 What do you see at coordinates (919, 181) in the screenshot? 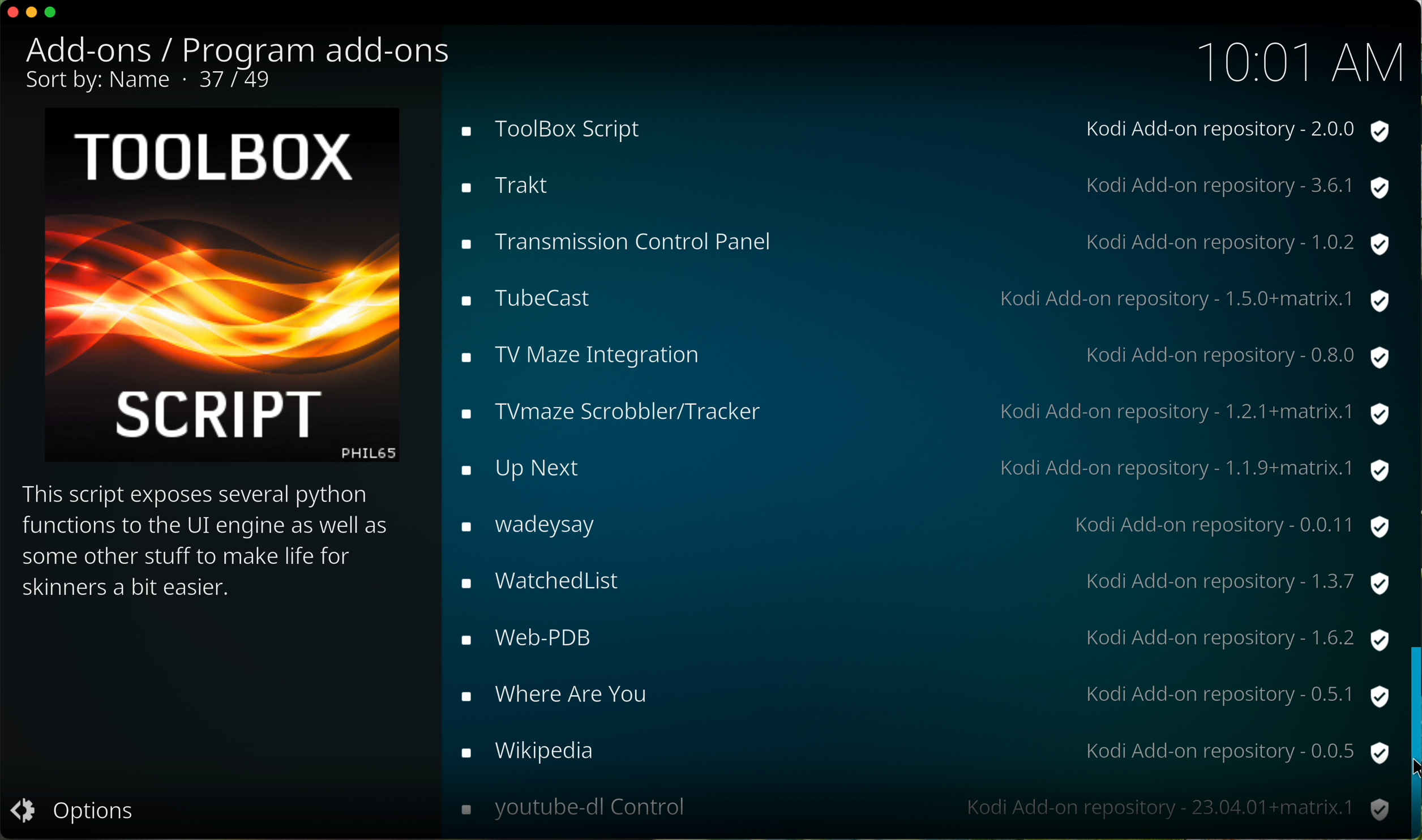
I see `trakt` at bounding box center [919, 181].